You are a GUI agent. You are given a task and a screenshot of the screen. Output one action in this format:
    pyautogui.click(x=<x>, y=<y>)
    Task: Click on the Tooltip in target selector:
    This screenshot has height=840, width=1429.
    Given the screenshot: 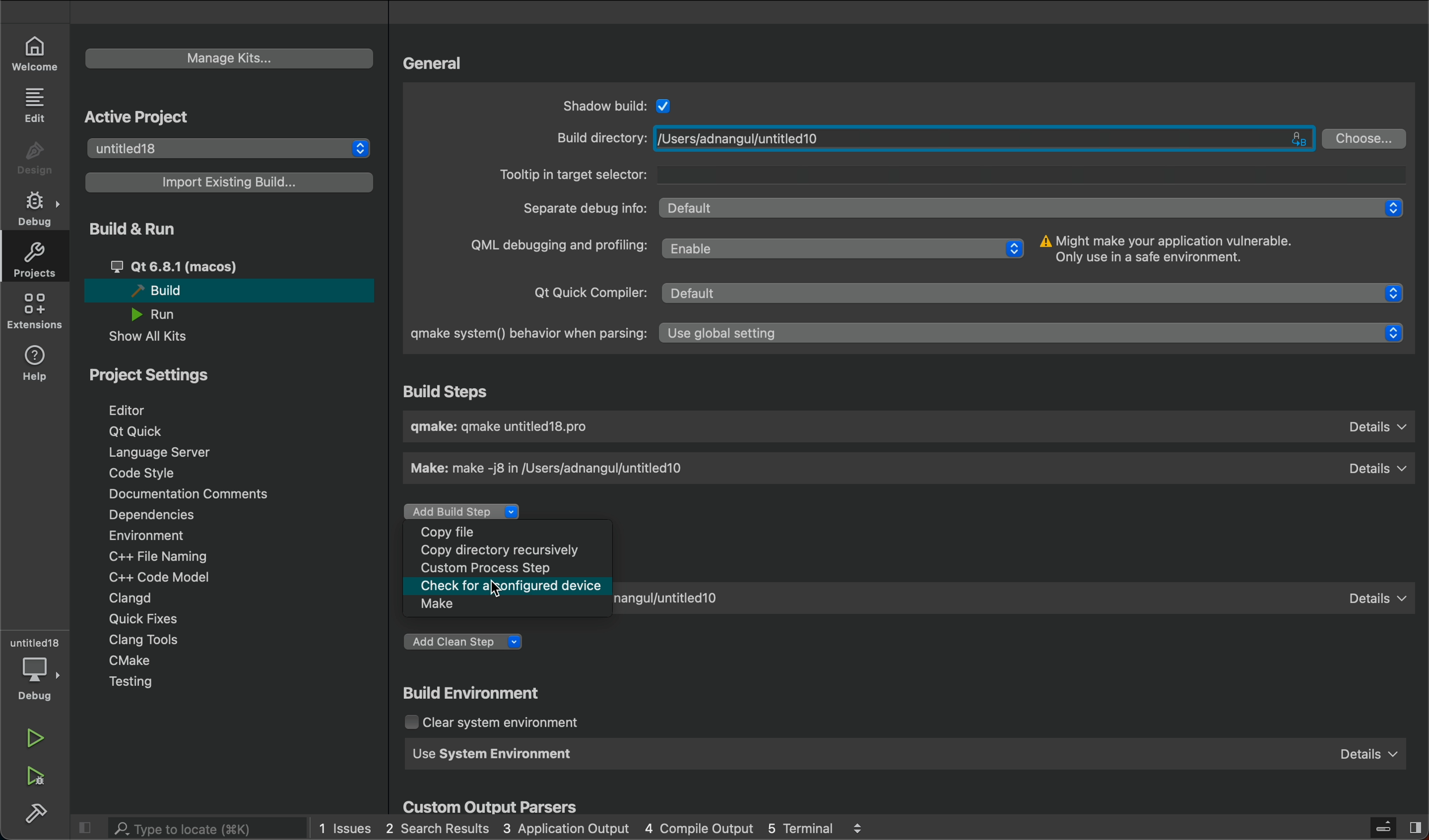 What is the action you would take?
    pyautogui.click(x=948, y=175)
    